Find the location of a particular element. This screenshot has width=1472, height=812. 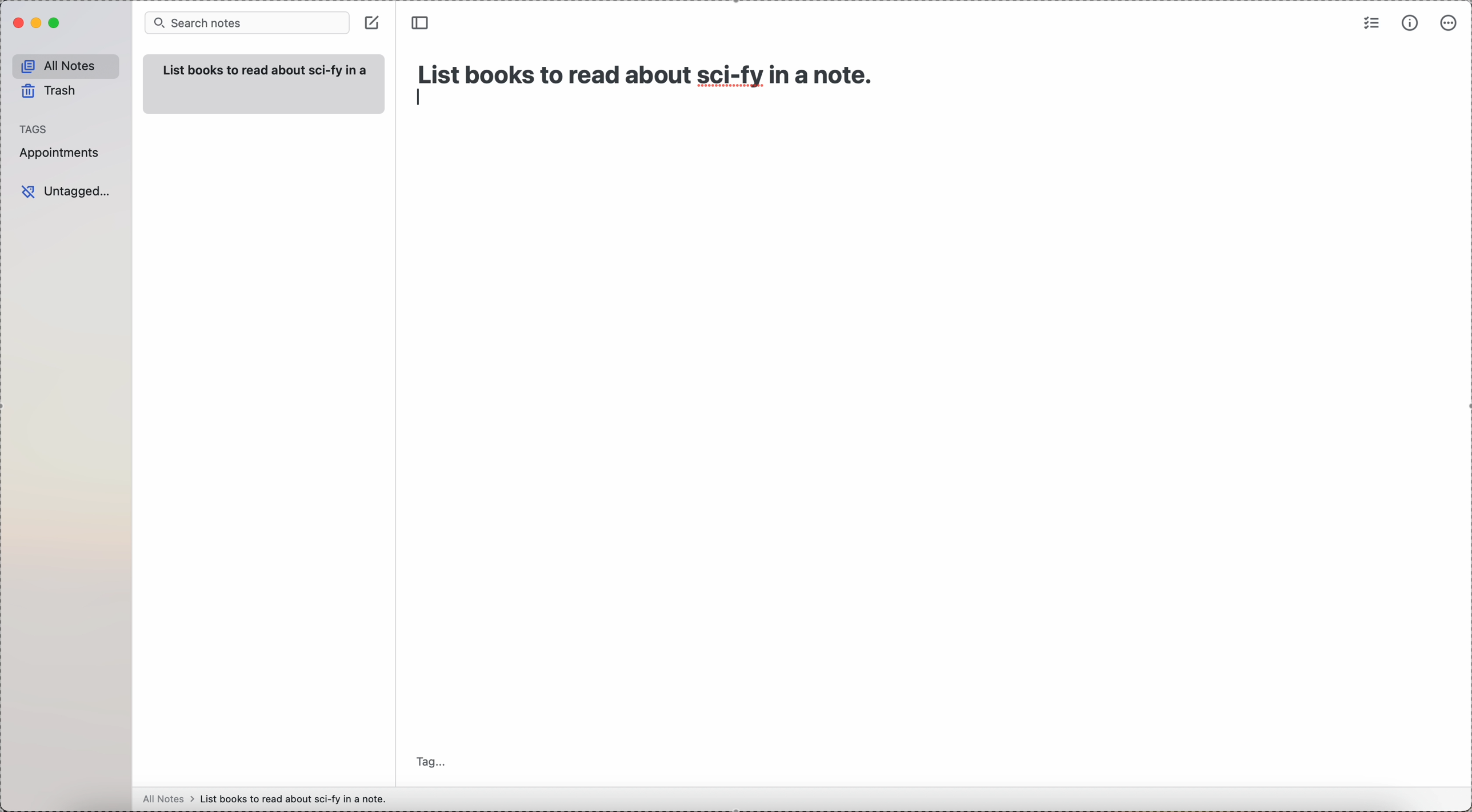

note is located at coordinates (261, 86).